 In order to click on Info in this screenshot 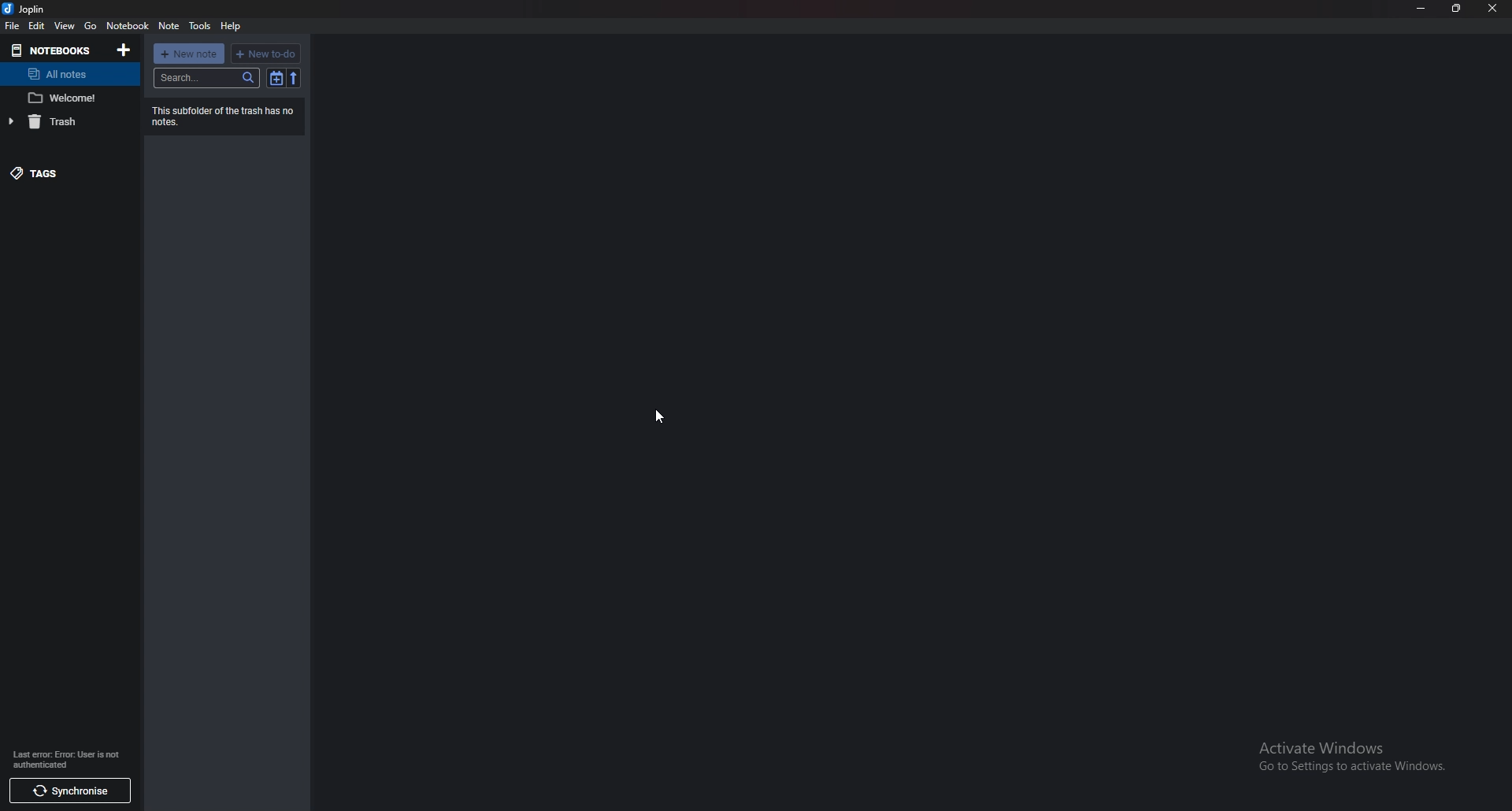, I will do `click(72, 758)`.